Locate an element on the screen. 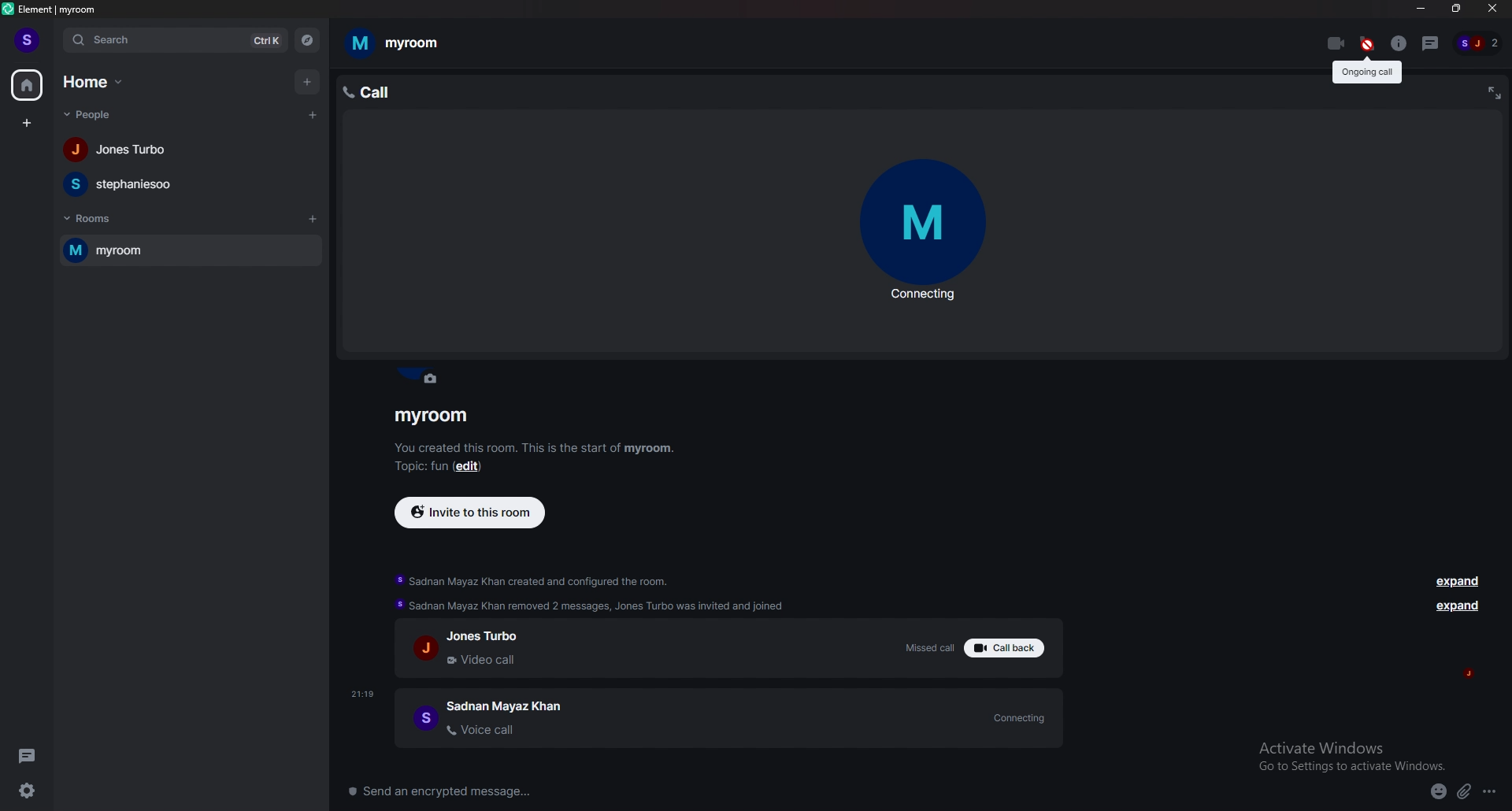 Image resolution: width=1512 pixels, height=811 pixels. rooms is located at coordinates (106, 217).